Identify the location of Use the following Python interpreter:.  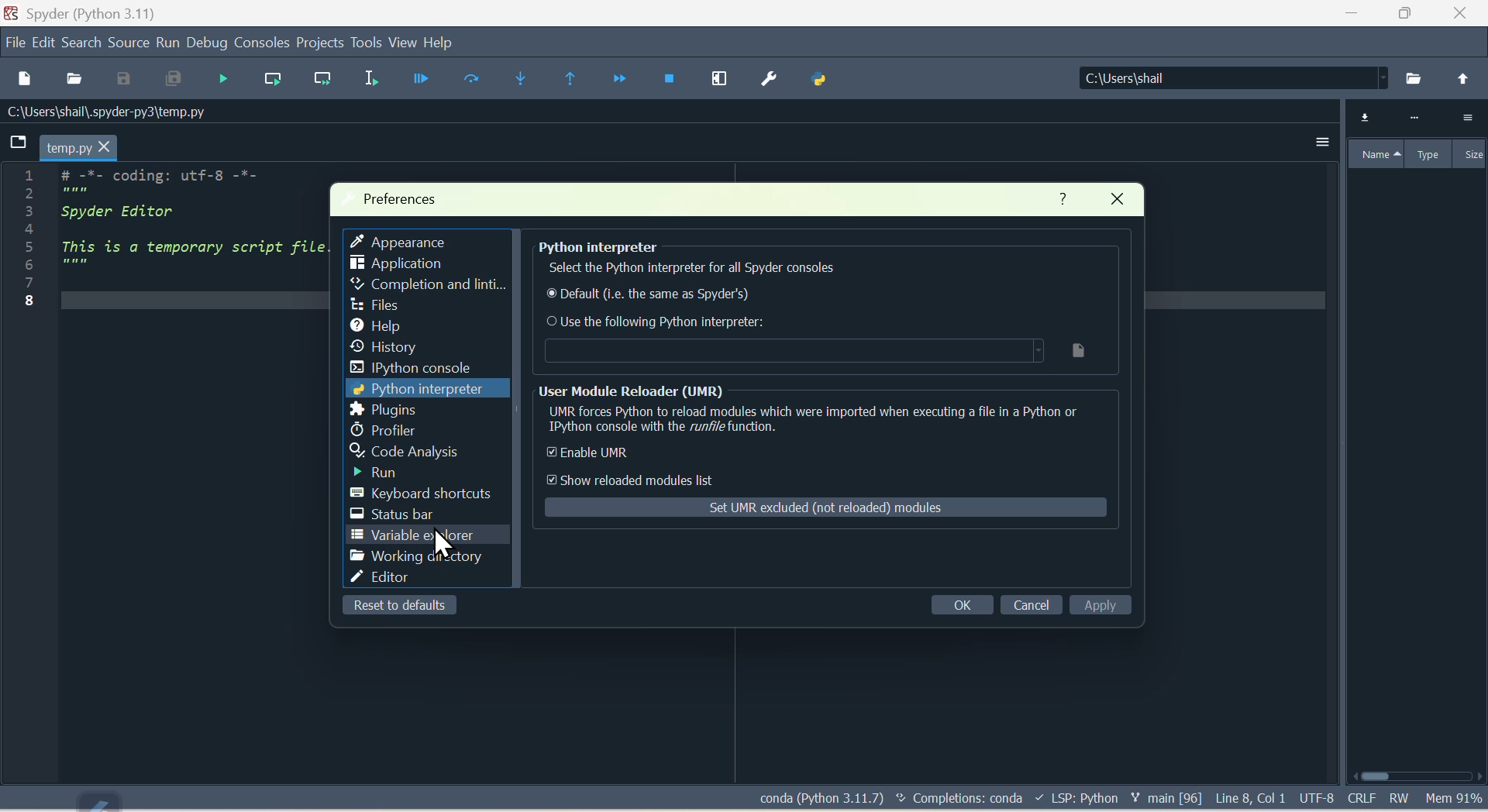
(661, 322).